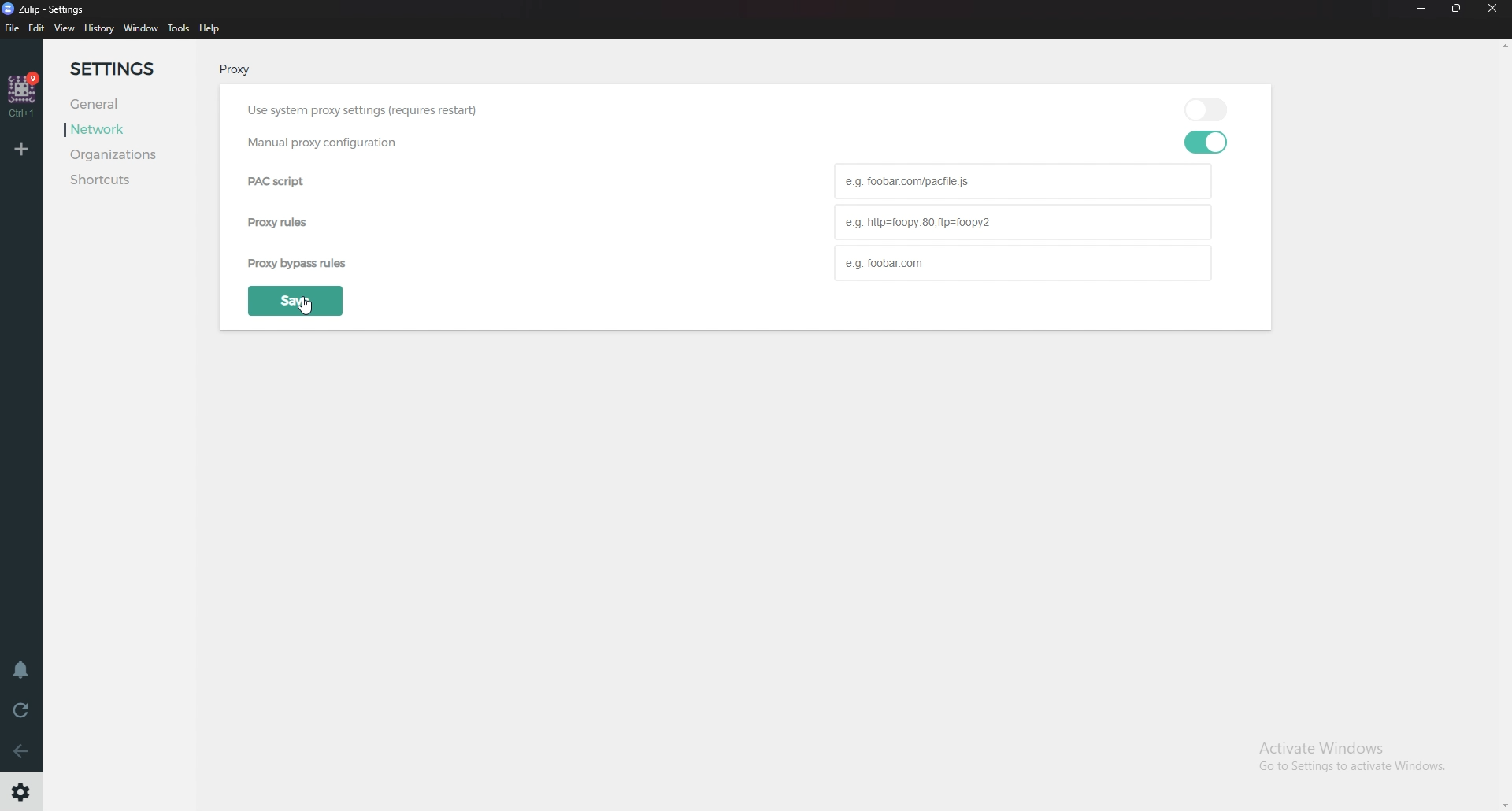 The width and height of the screenshot is (1512, 811). Describe the element at coordinates (114, 129) in the screenshot. I see `Network` at that location.